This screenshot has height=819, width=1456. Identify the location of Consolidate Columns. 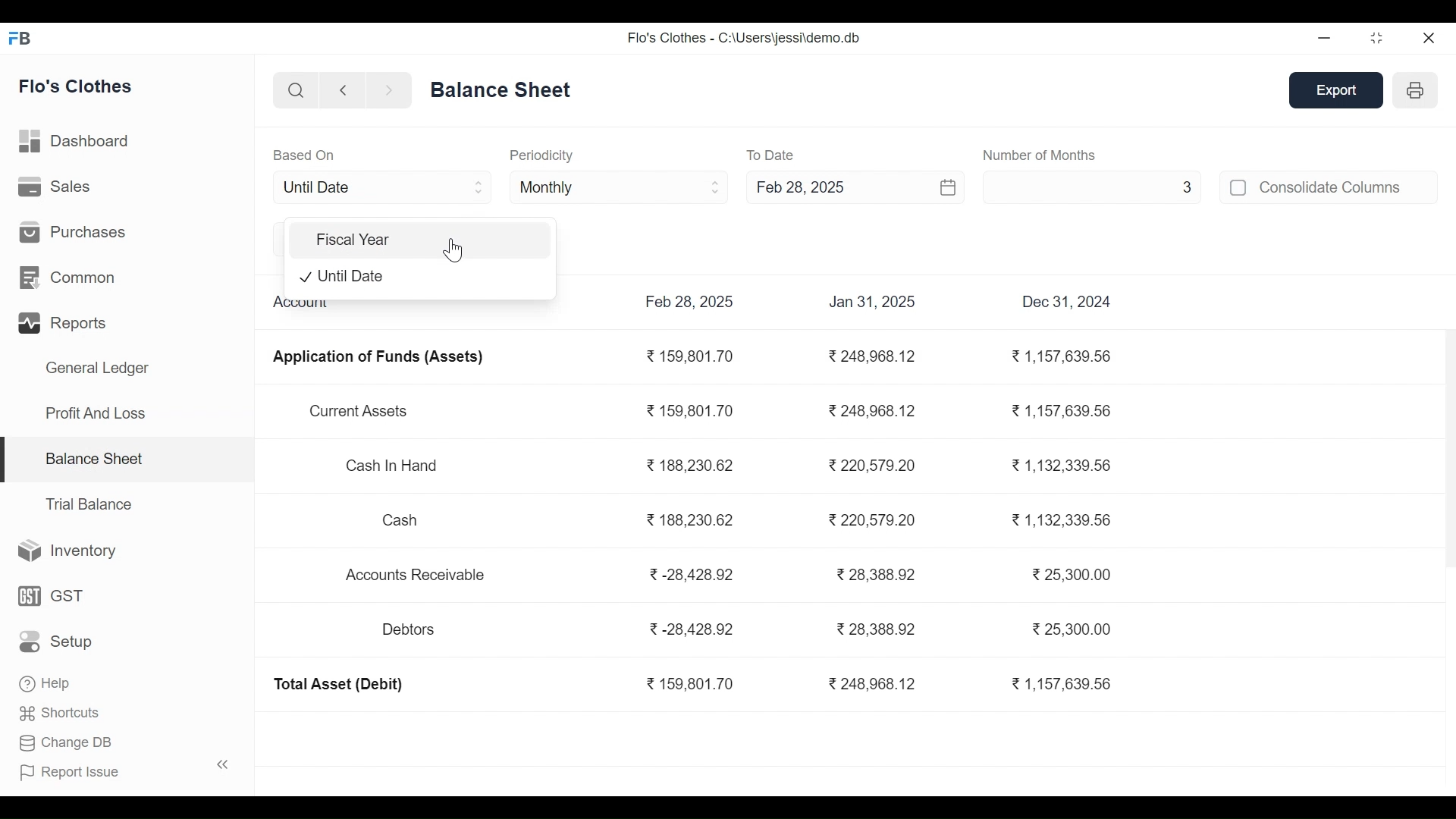
(1348, 187).